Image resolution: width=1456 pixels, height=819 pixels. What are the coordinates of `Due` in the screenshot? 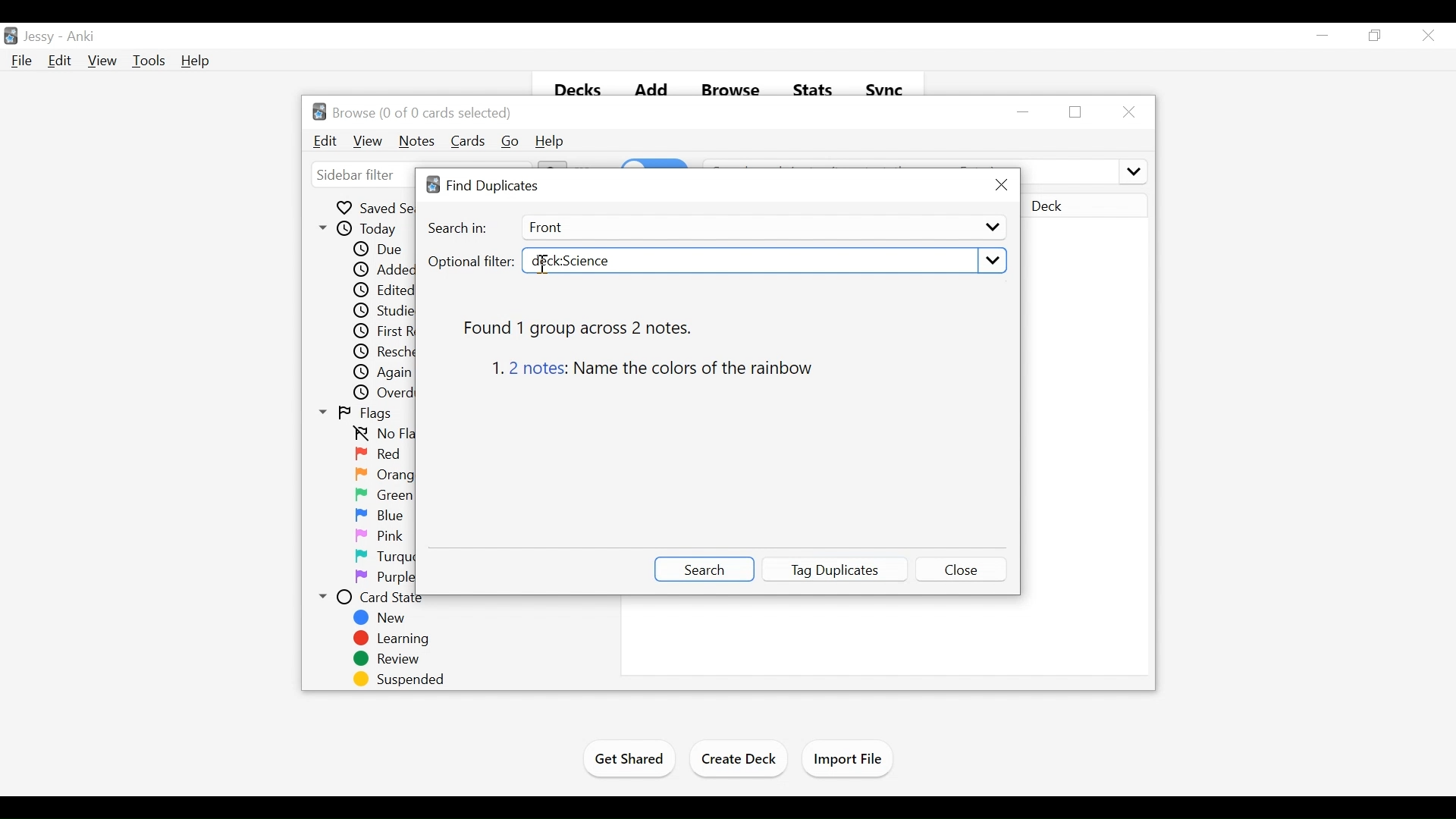 It's located at (376, 249).